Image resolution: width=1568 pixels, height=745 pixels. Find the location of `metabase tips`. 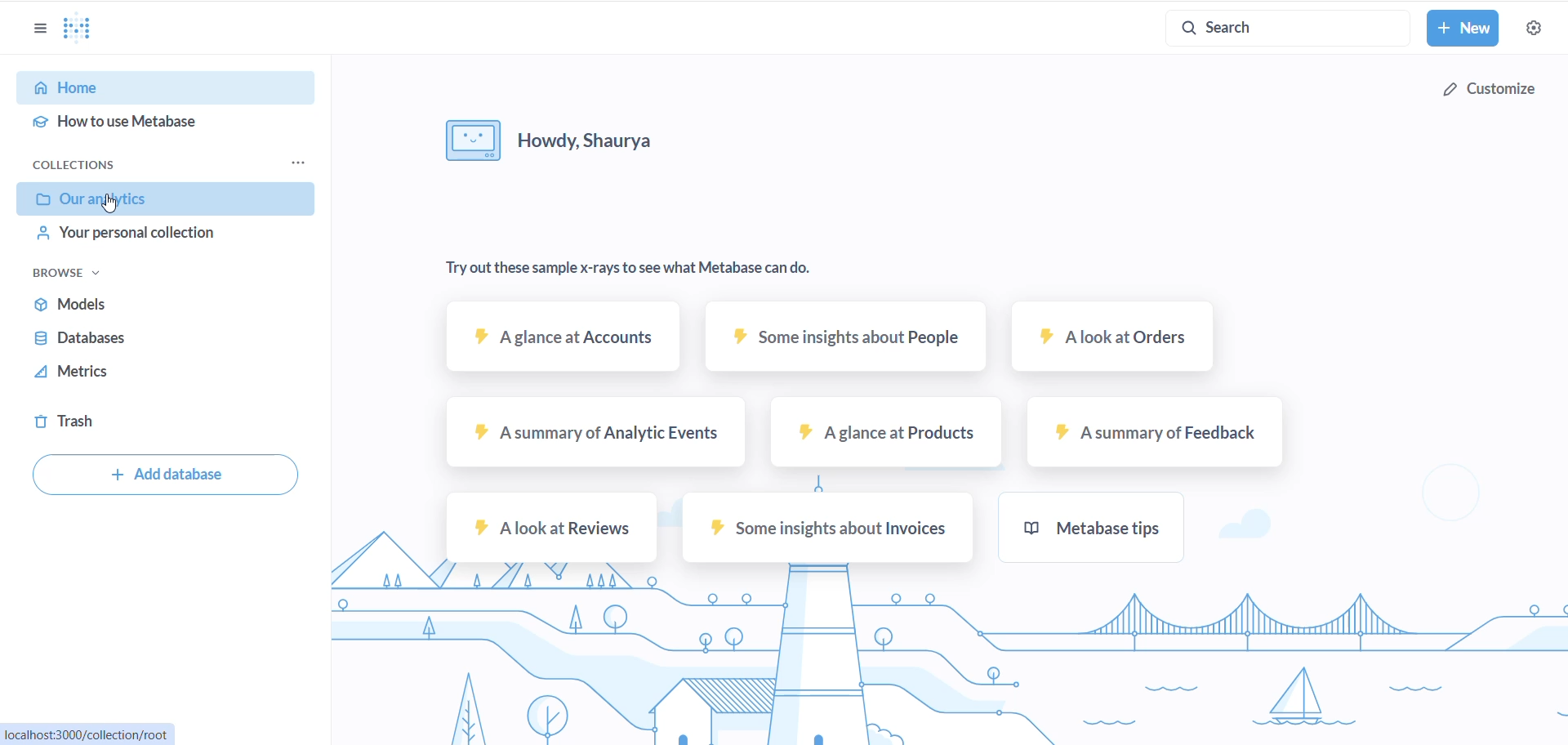

metabase tips is located at coordinates (1100, 529).